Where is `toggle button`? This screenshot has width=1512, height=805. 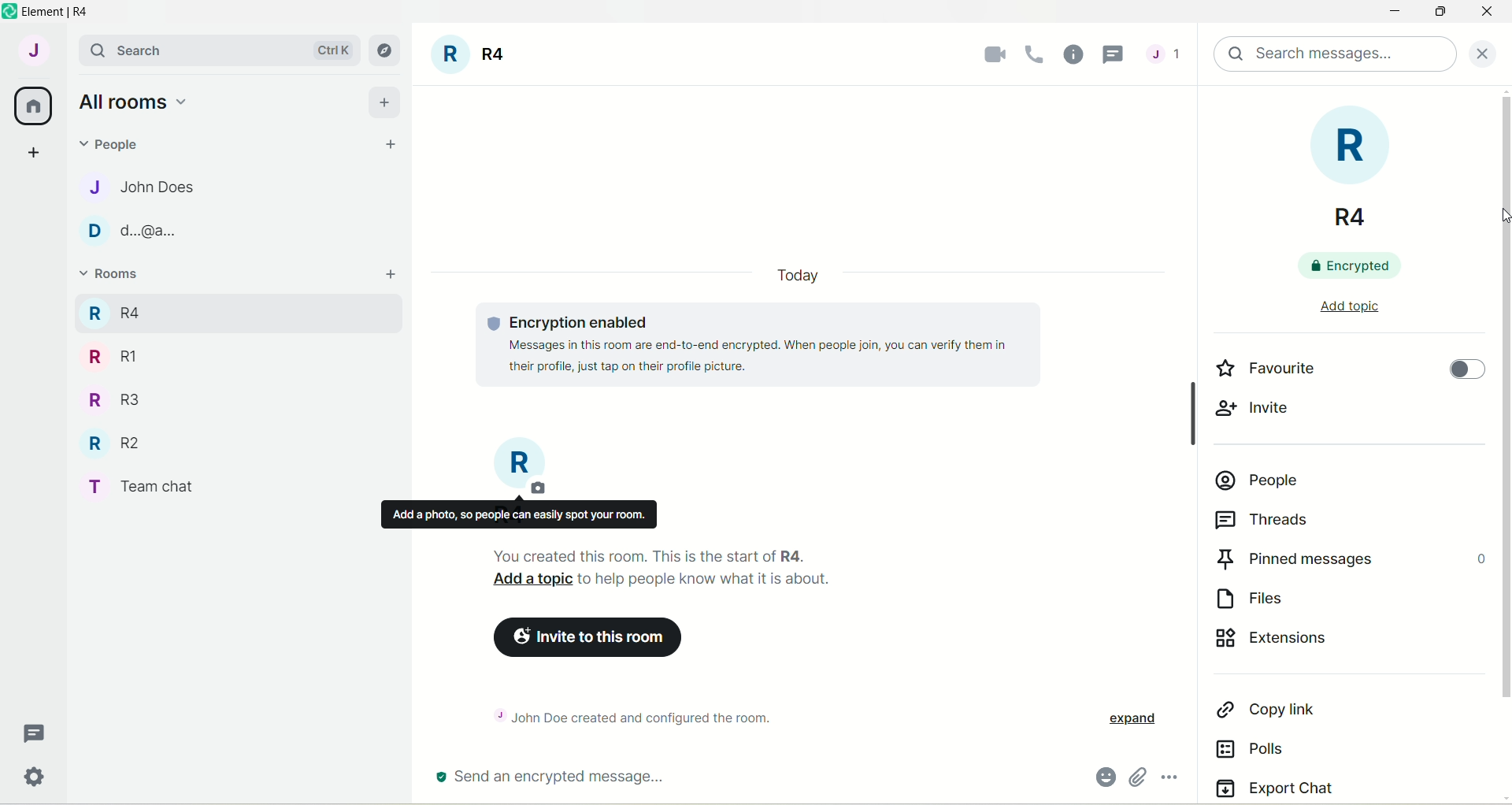 toggle button is located at coordinates (1467, 372).